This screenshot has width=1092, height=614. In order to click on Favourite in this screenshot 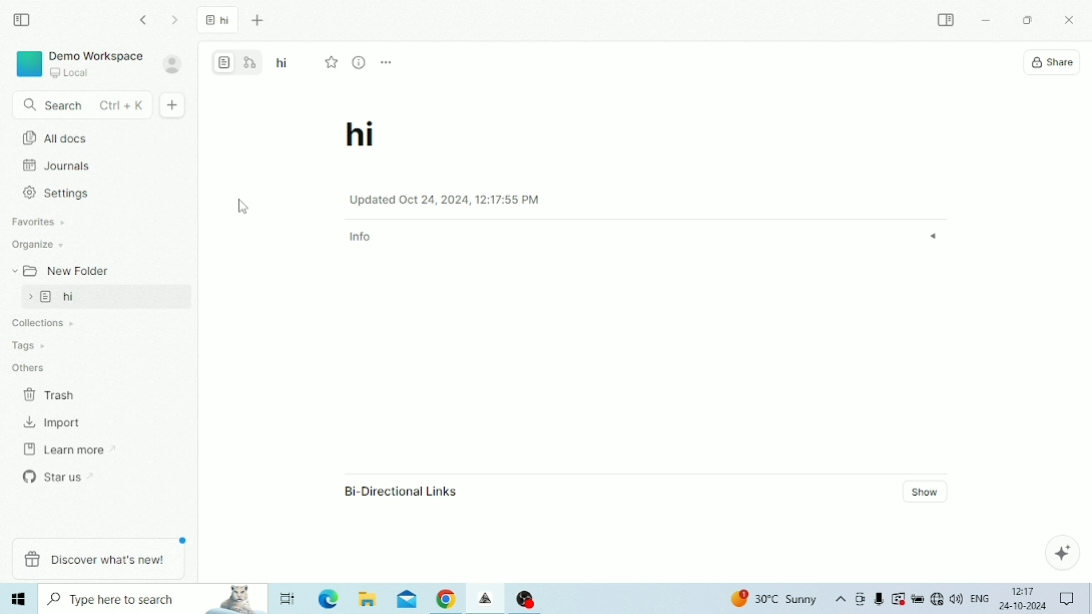, I will do `click(335, 62)`.